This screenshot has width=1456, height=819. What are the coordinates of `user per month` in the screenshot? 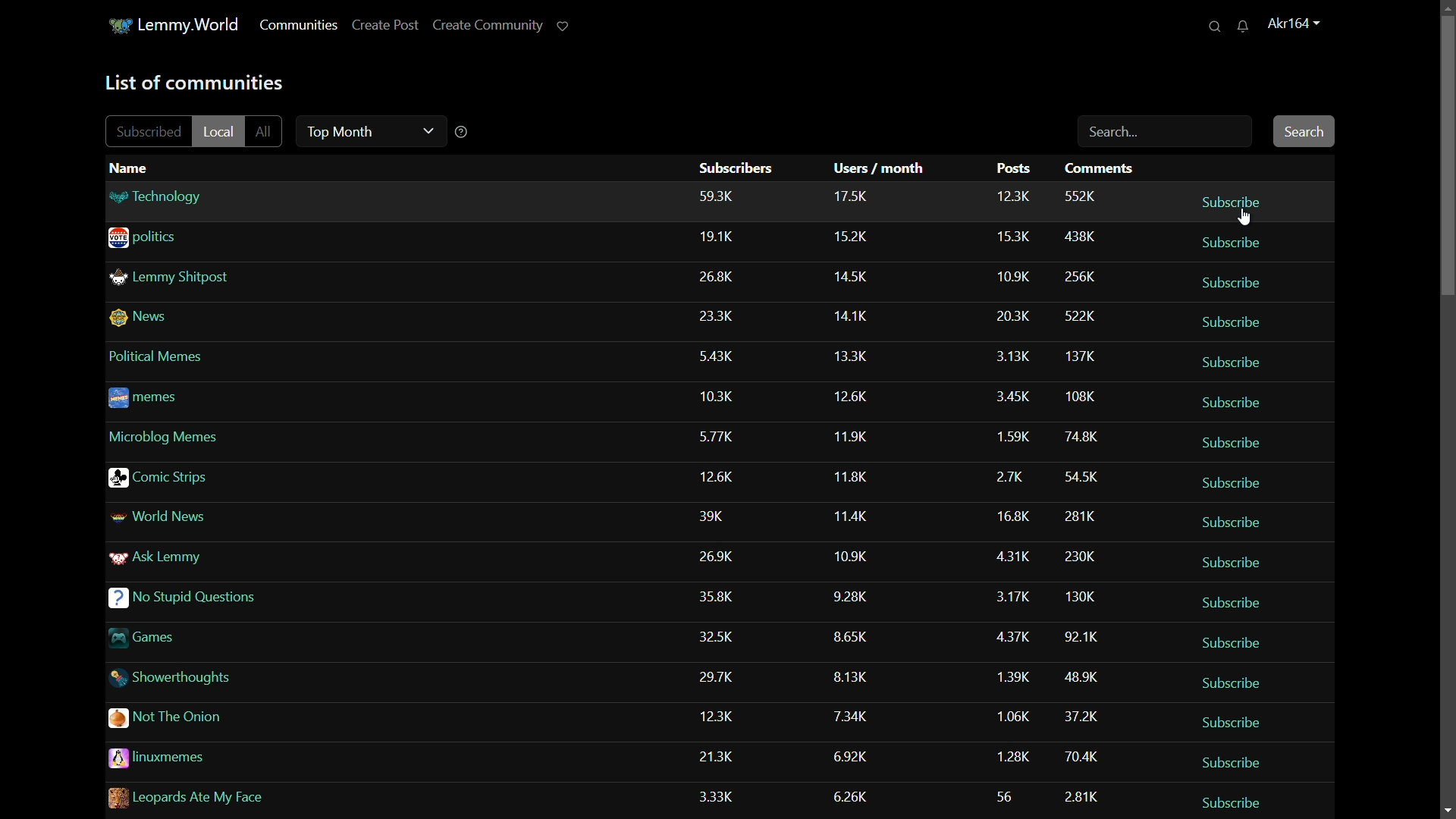 It's located at (855, 196).